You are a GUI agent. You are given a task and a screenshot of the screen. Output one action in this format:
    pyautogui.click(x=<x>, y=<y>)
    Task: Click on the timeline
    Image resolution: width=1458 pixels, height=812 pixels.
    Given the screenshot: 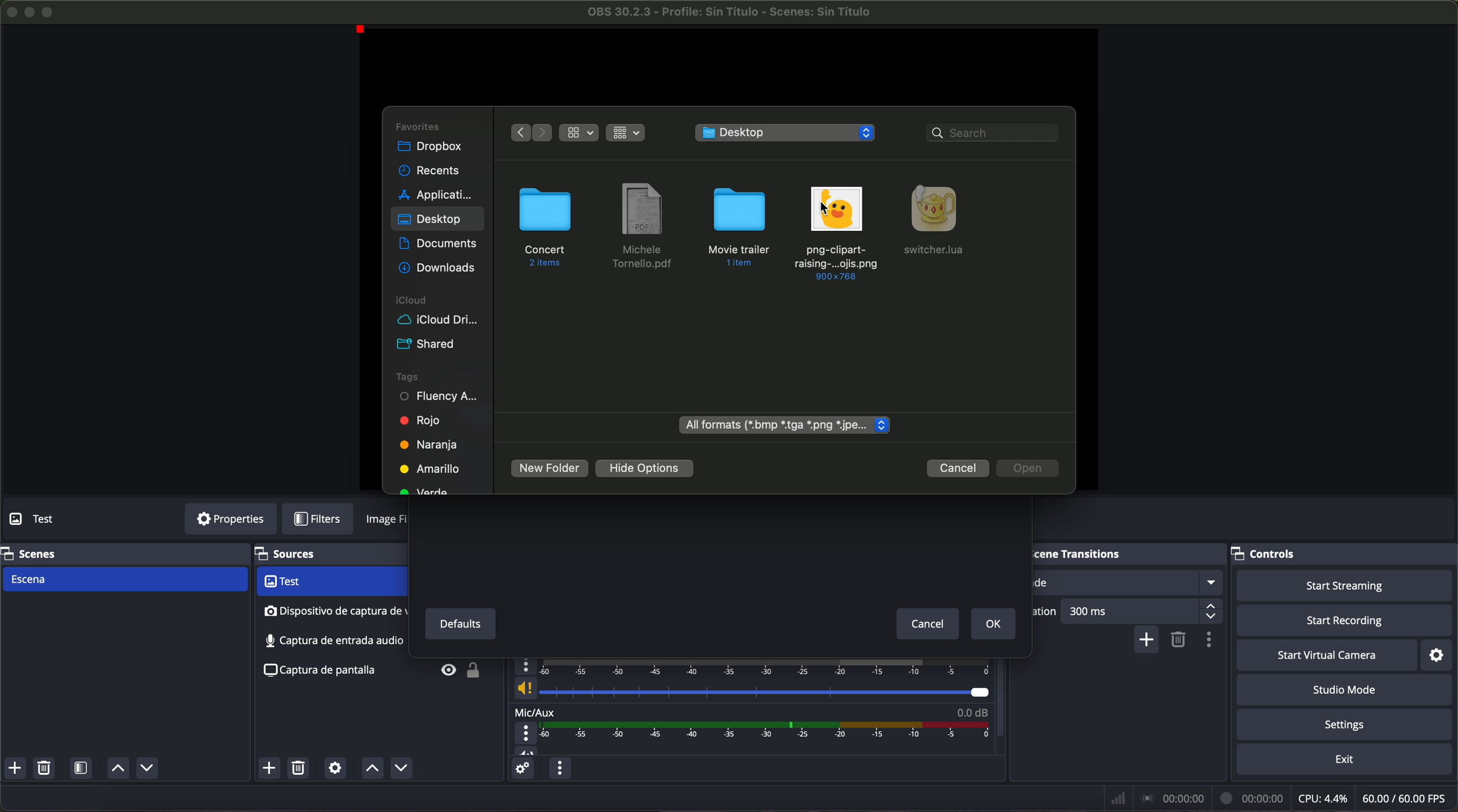 What is the action you would take?
    pyautogui.click(x=769, y=731)
    